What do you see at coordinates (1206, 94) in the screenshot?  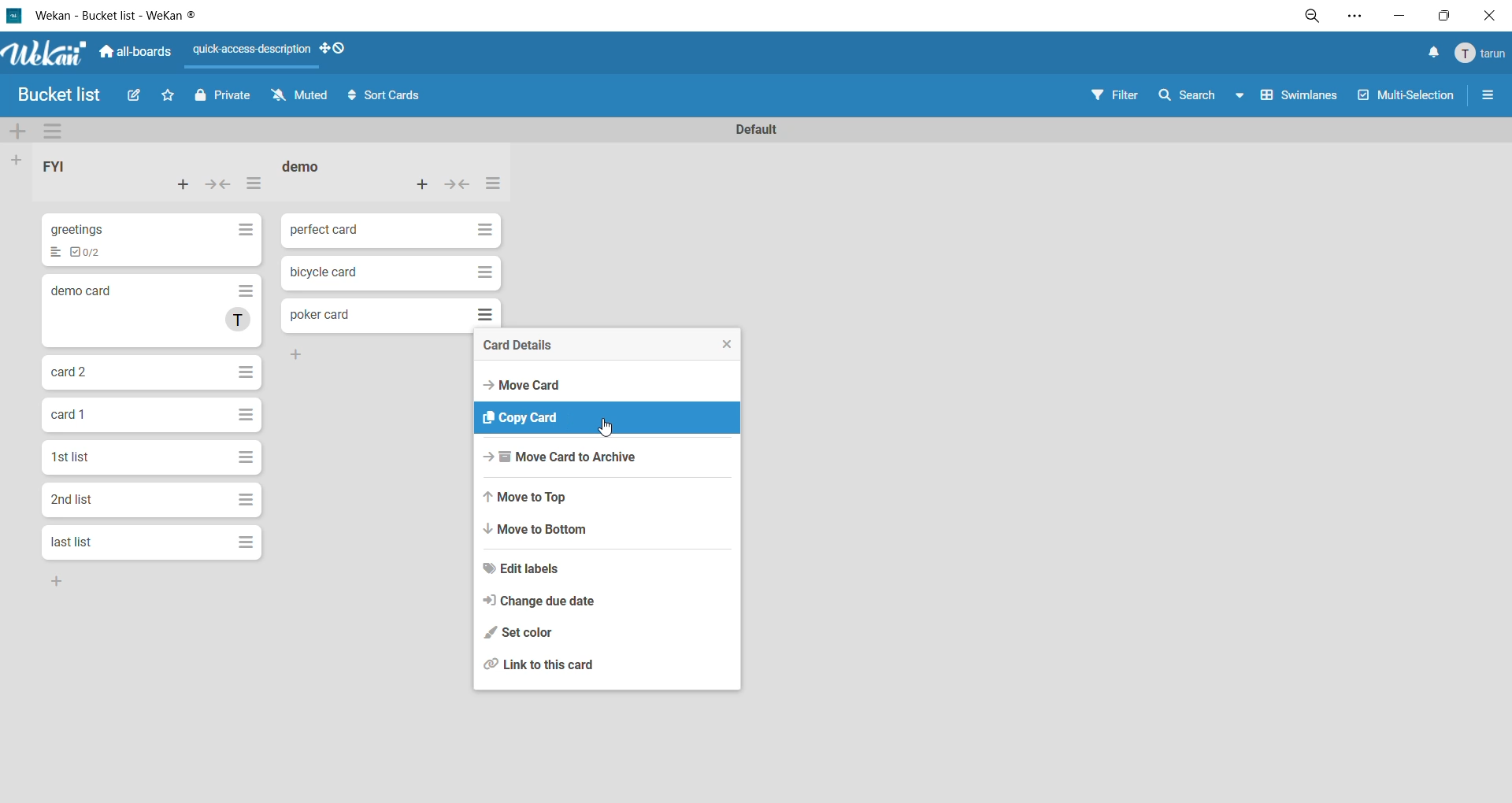 I see `search` at bounding box center [1206, 94].